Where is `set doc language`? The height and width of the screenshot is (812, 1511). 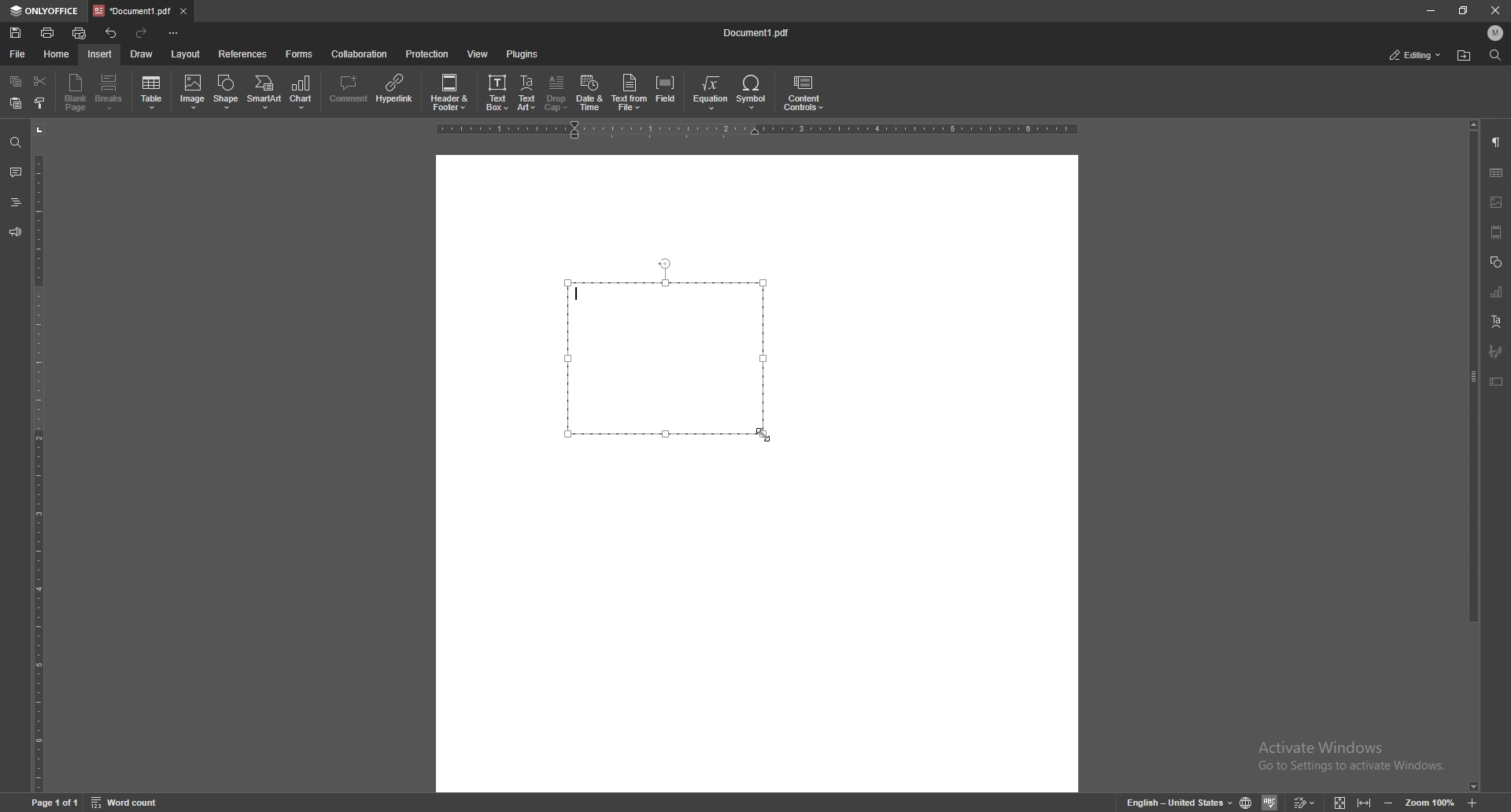
set doc language is located at coordinates (1247, 803).